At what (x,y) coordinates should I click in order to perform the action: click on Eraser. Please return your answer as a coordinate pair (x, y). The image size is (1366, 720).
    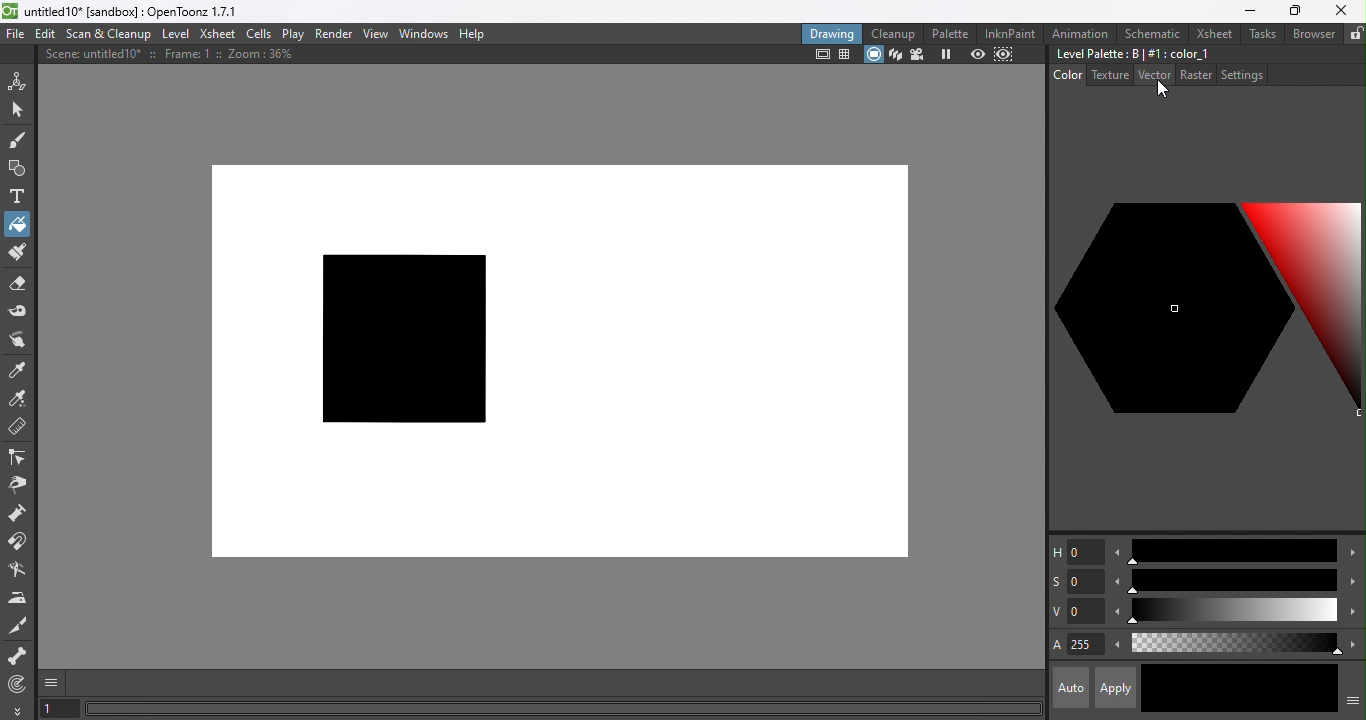
    Looking at the image, I should click on (17, 287).